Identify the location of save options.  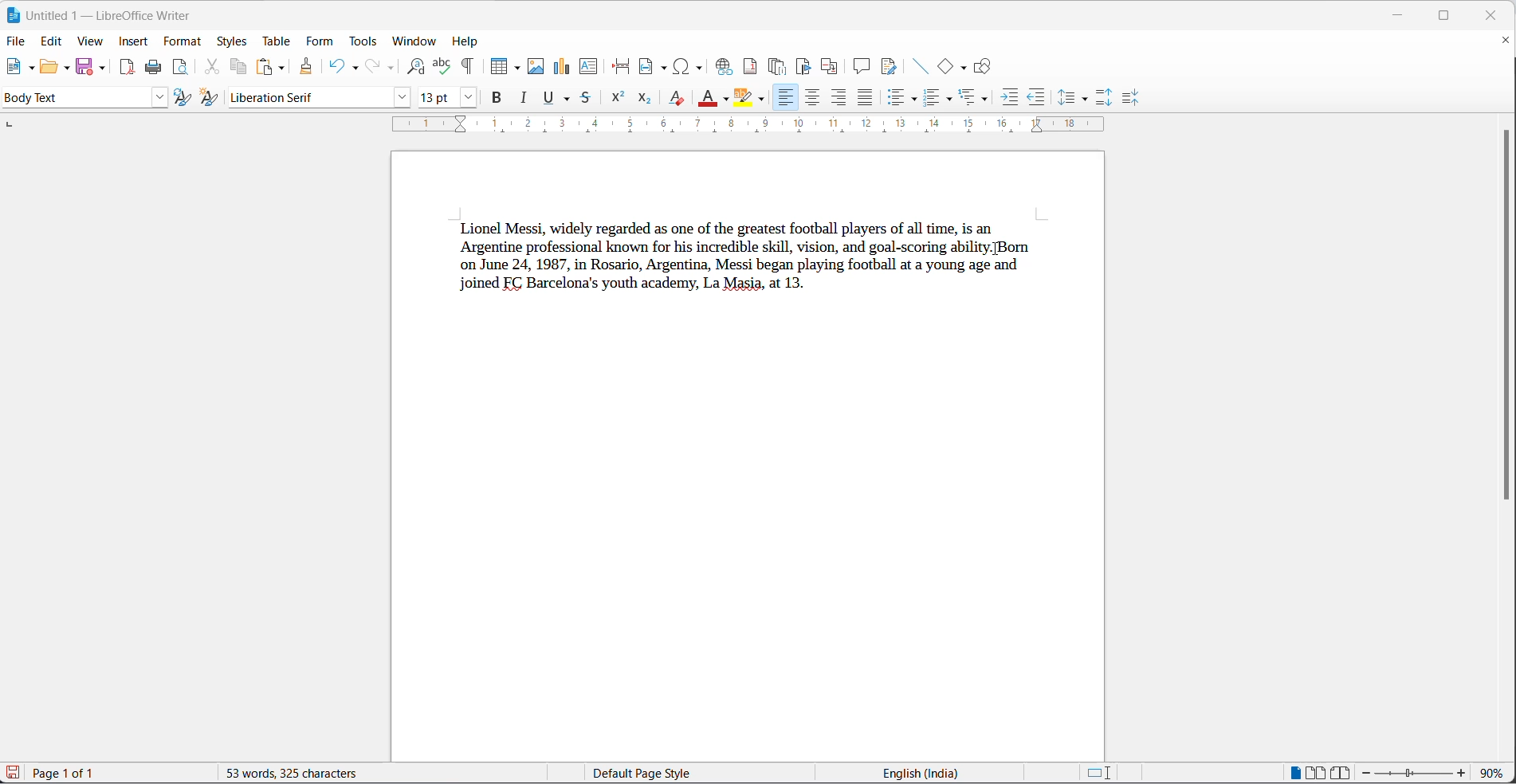
(101, 69).